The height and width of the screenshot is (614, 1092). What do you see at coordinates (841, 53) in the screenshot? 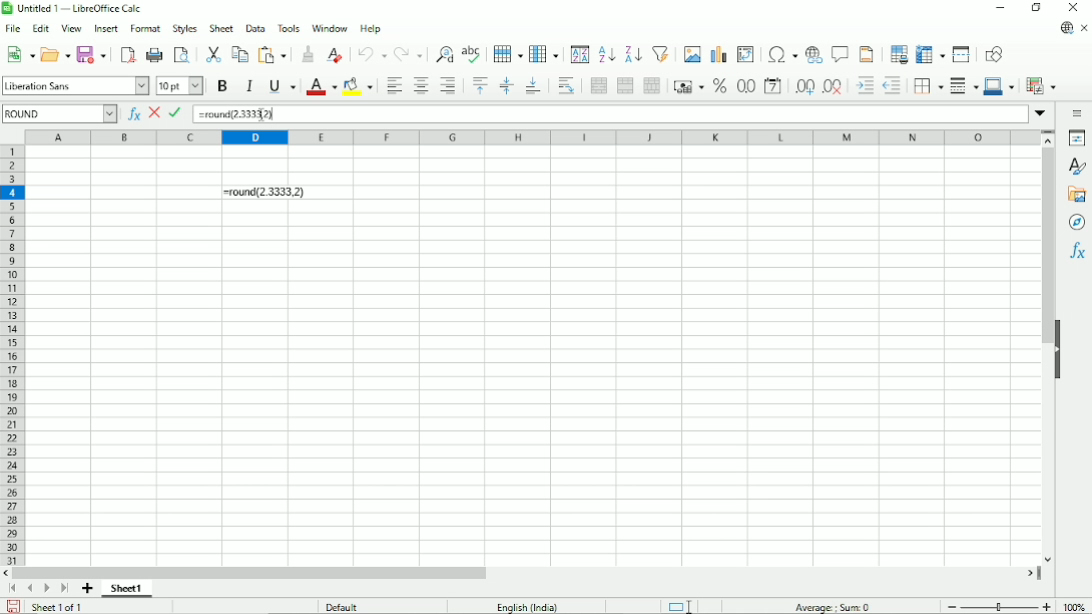
I see `Insert comment` at bounding box center [841, 53].